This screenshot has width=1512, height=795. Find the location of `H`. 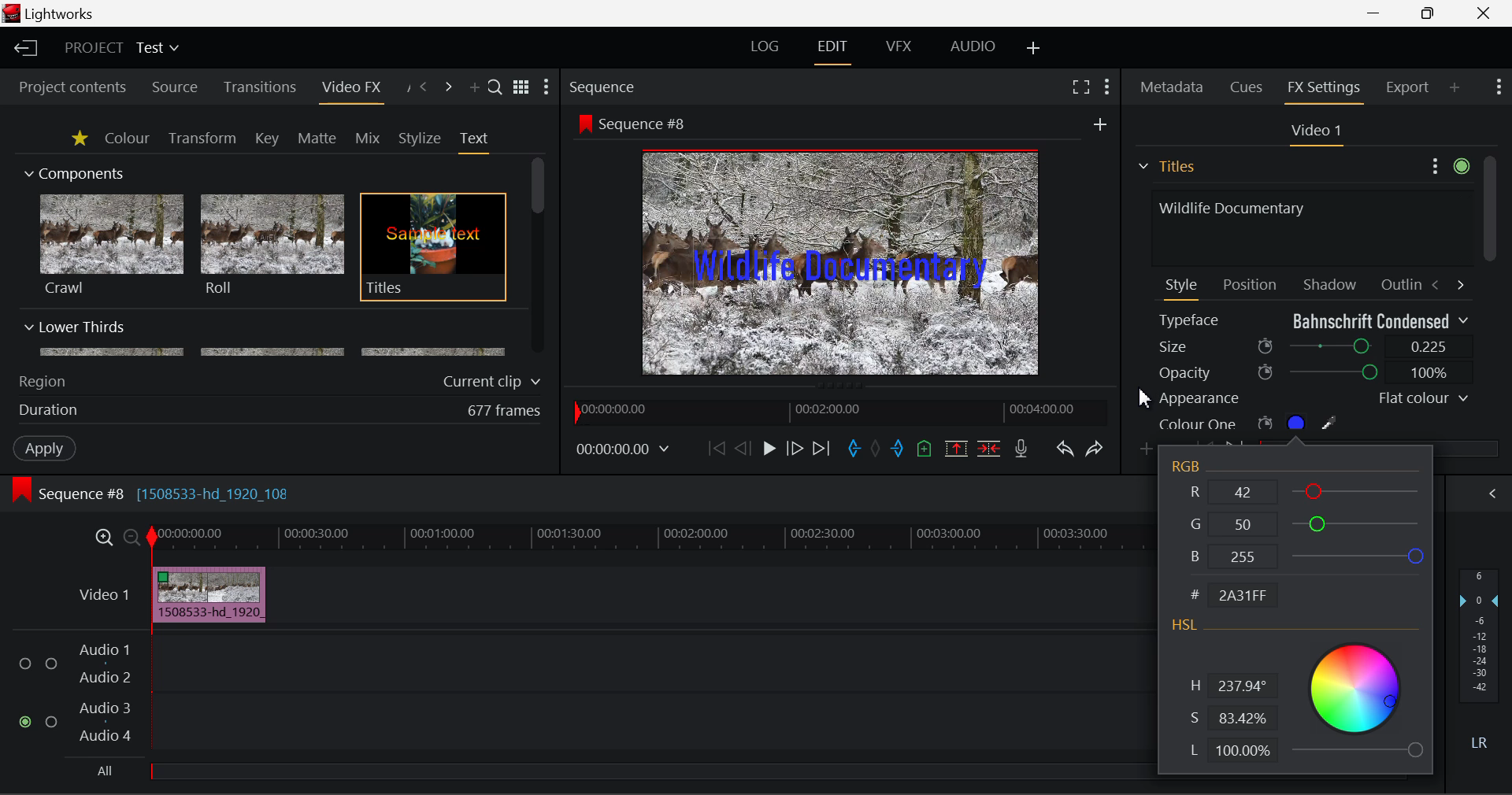

H is located at coordinates (1232, 687).